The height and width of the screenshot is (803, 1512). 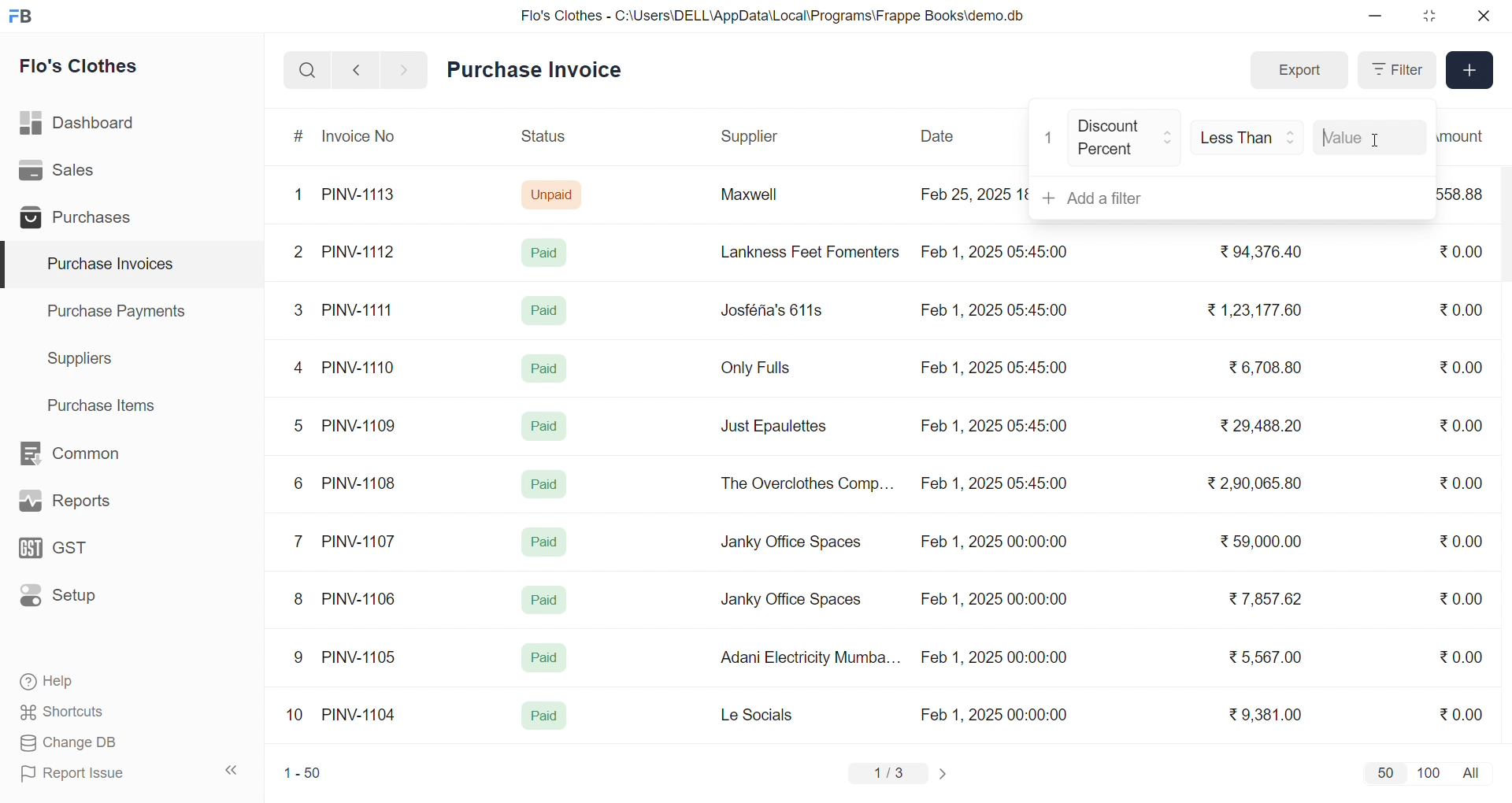 I want to click on Paid, so click(x=544, y=716).